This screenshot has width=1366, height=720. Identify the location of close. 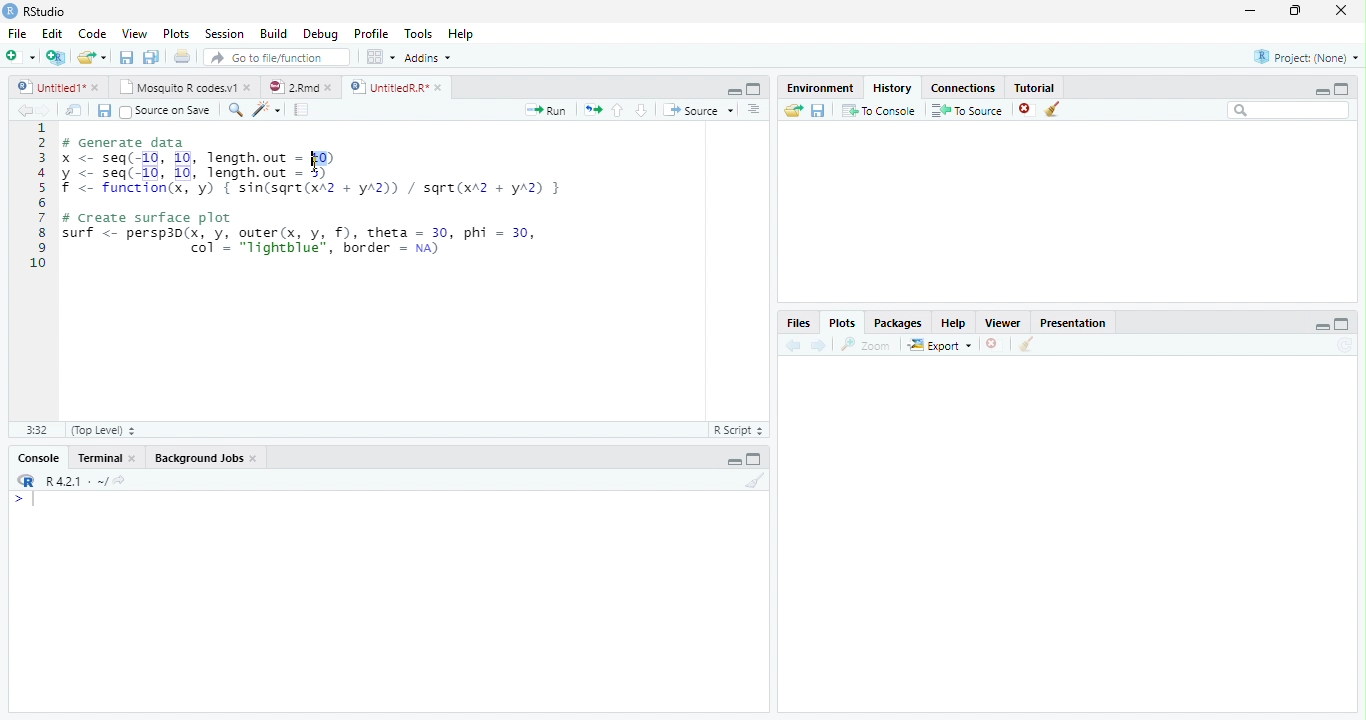
(438, 87).